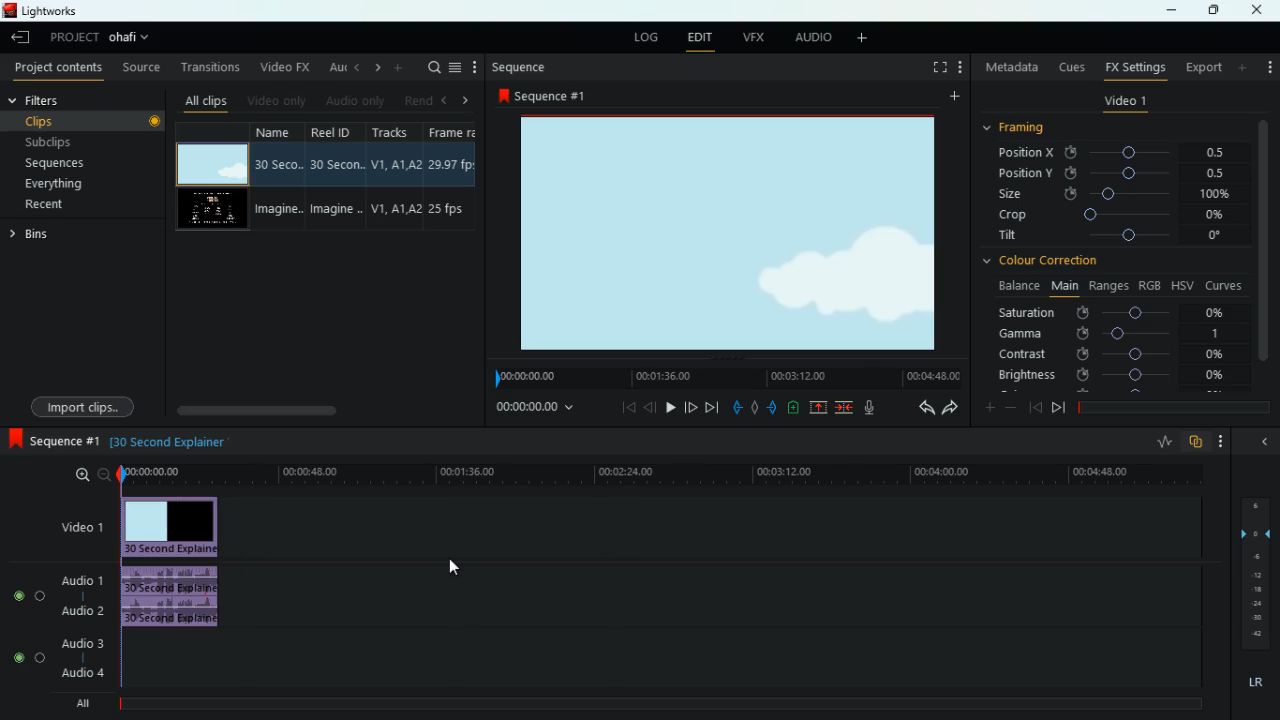 This screenshot has height=720, width=1280. Describe the element at coordinates (22, 36) in the screenshot. I see `leave` at that location.